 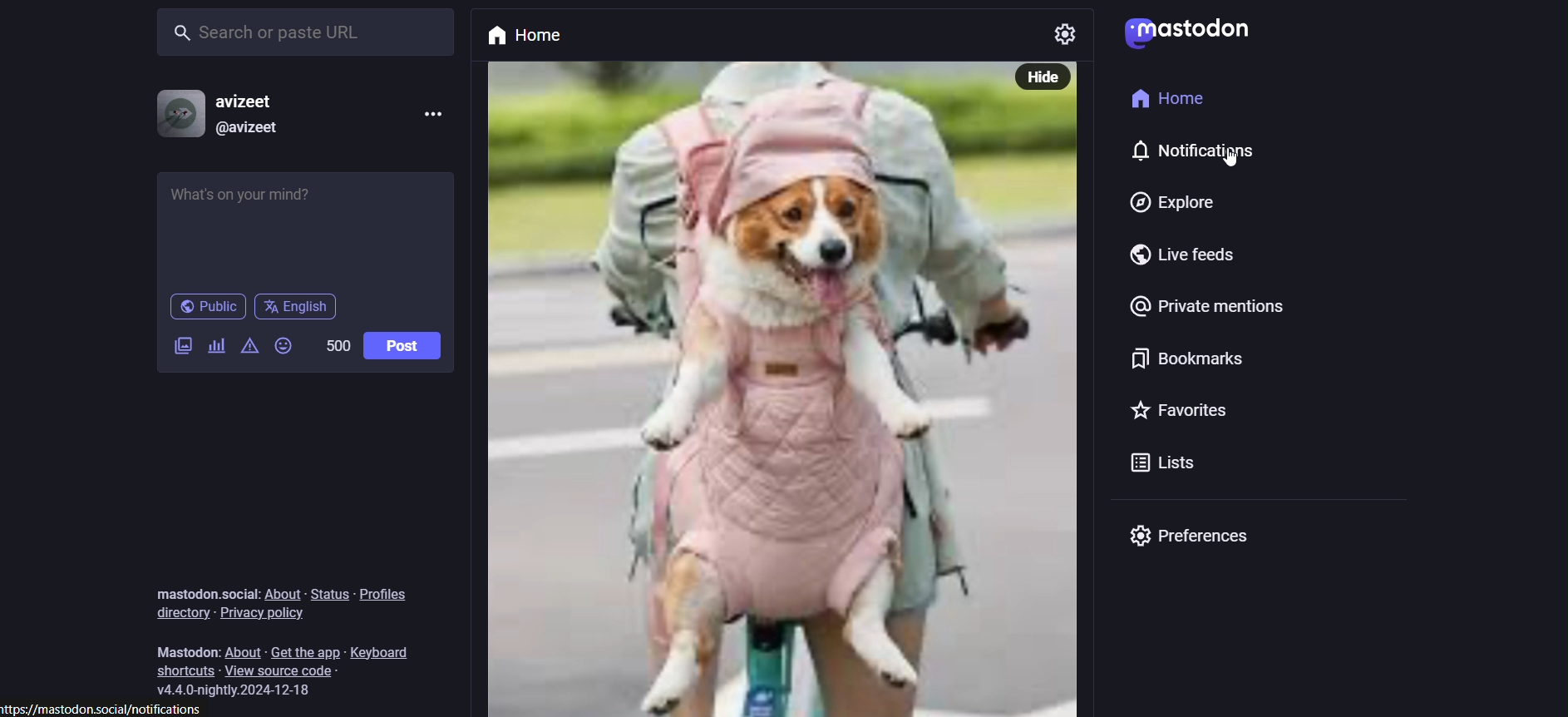 What do you see at coordinates (1181, 414) in the screenshot?
I see `favorites` at bounding box center [1181, 414].